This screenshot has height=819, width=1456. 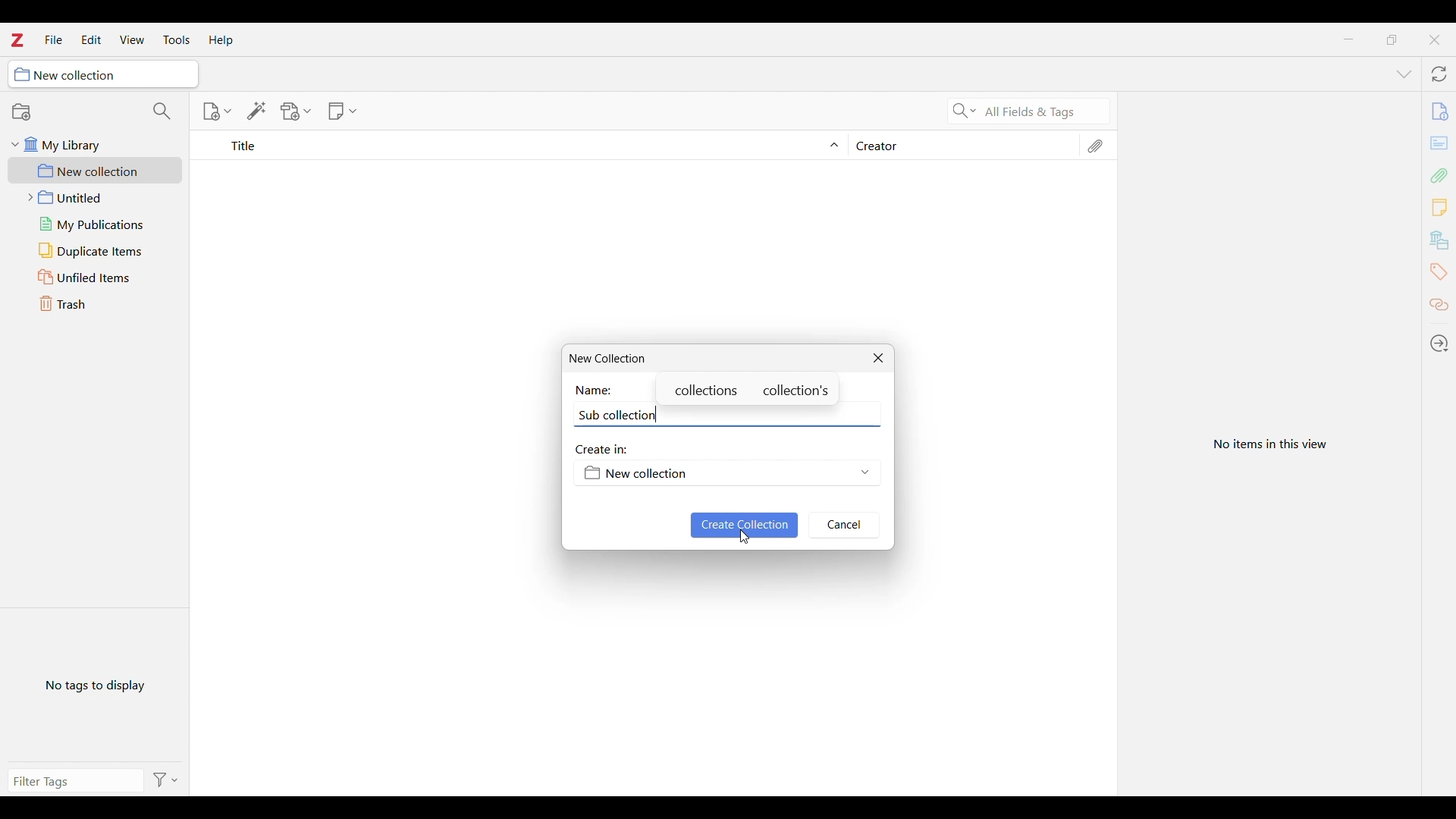 What do you see at coordinates (613, 359) in the screenshot?
I see `New Collection` at bounding box center [613, 359].